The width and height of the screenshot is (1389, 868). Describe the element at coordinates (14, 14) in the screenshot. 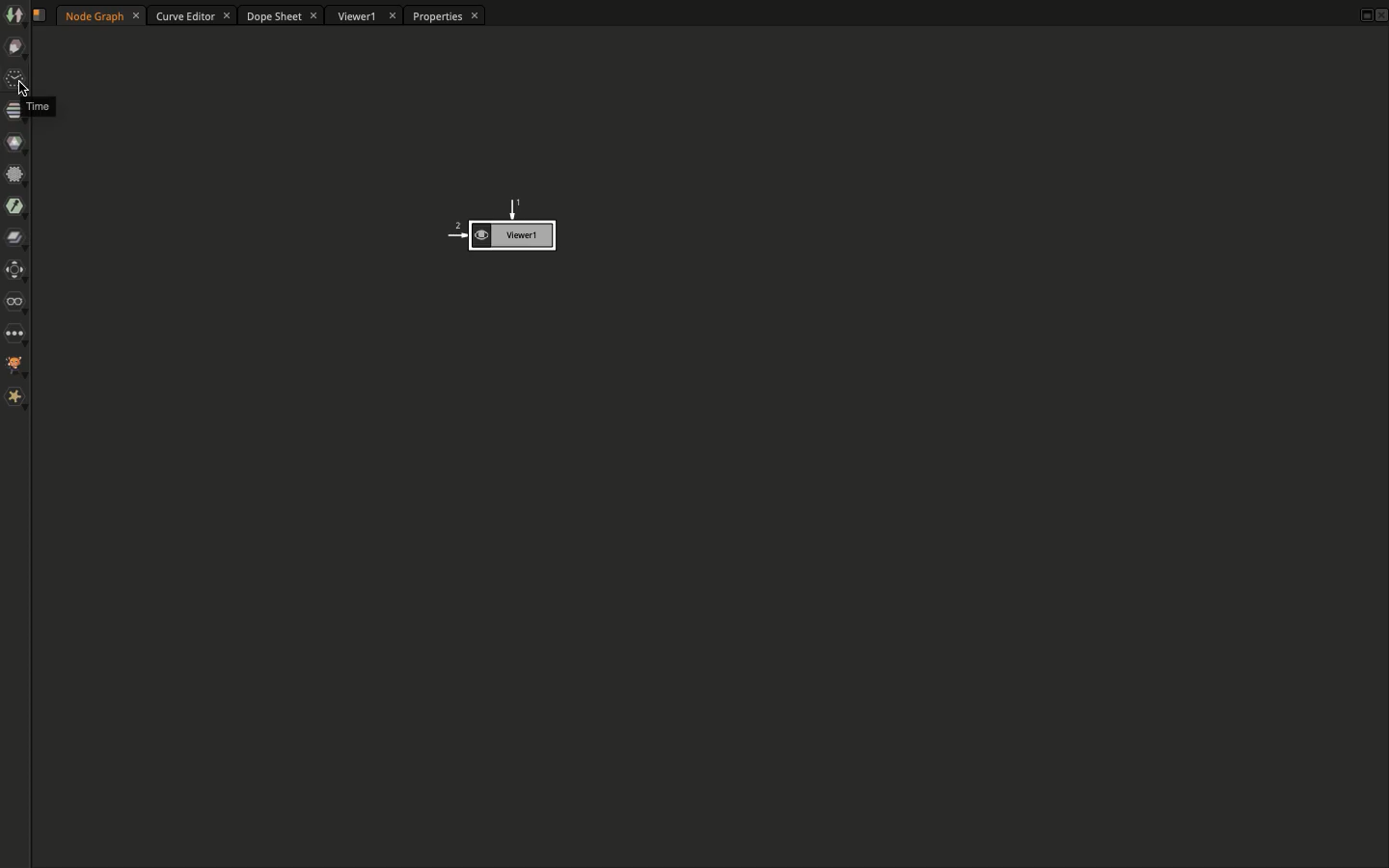

I see `Image` at that location.